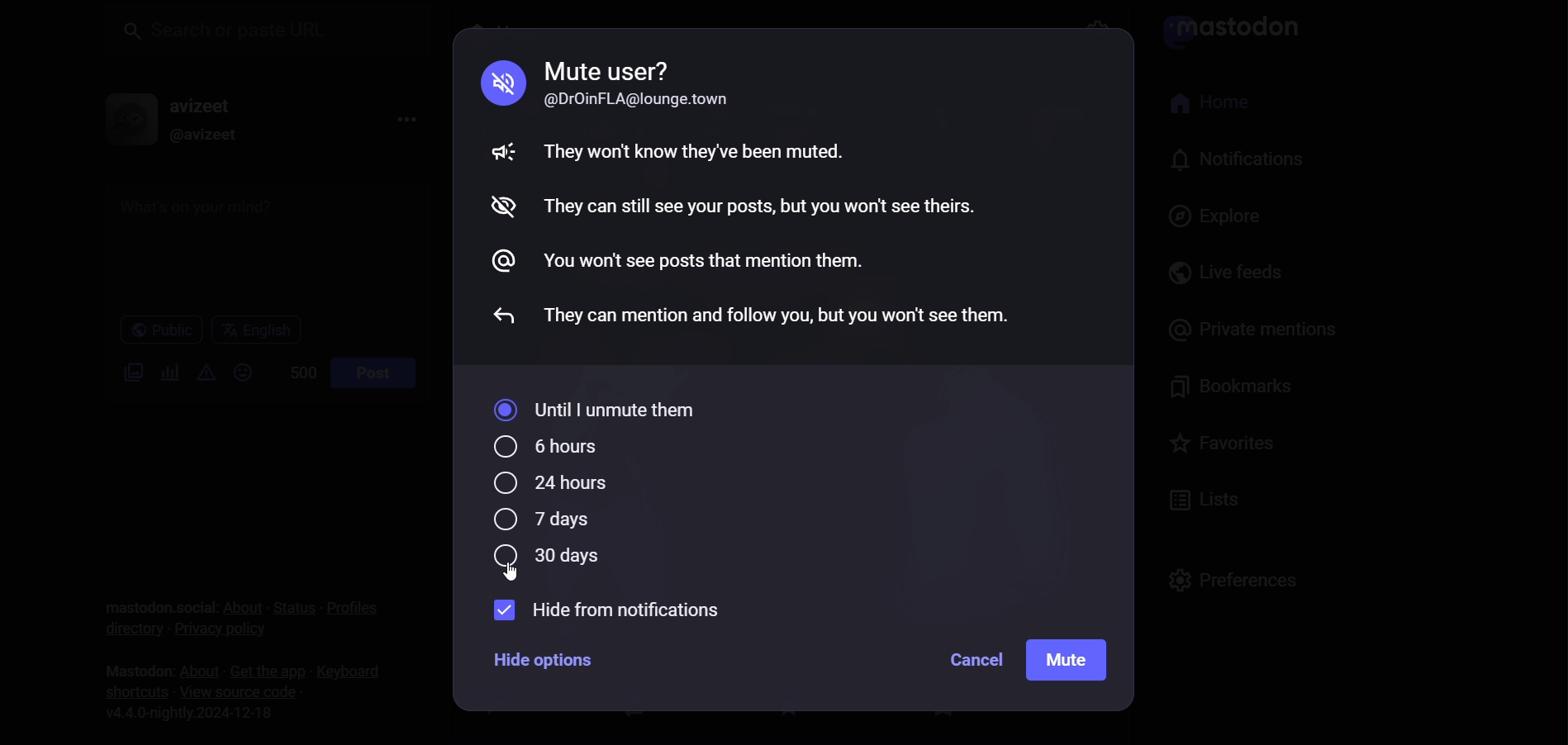  What do you see at coordinates (514, 570) in the screenshot?
I see `cursor` at bounding box center [514, 570].